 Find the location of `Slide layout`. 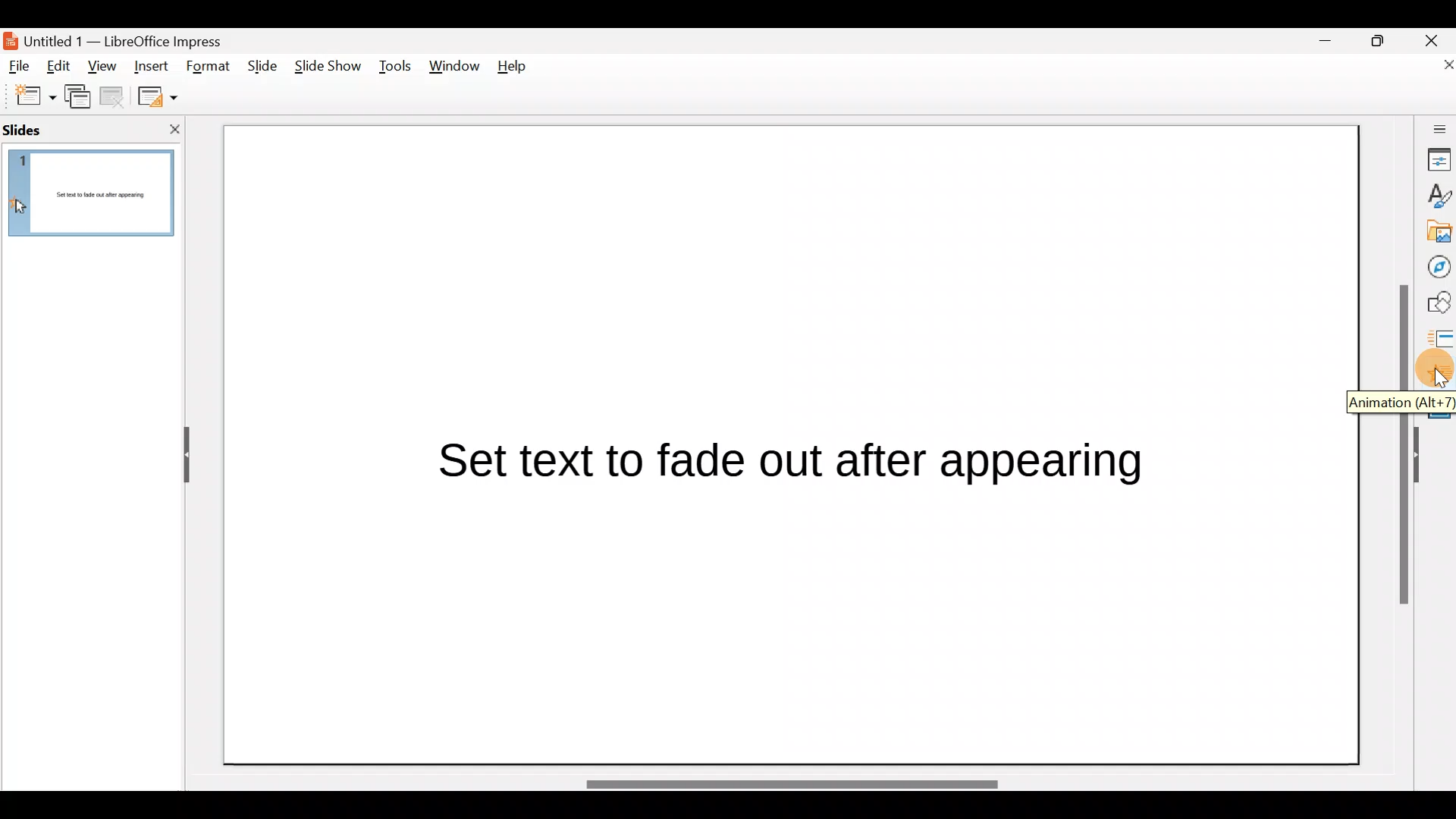

Slide layout is located at coordinates (156, 96).